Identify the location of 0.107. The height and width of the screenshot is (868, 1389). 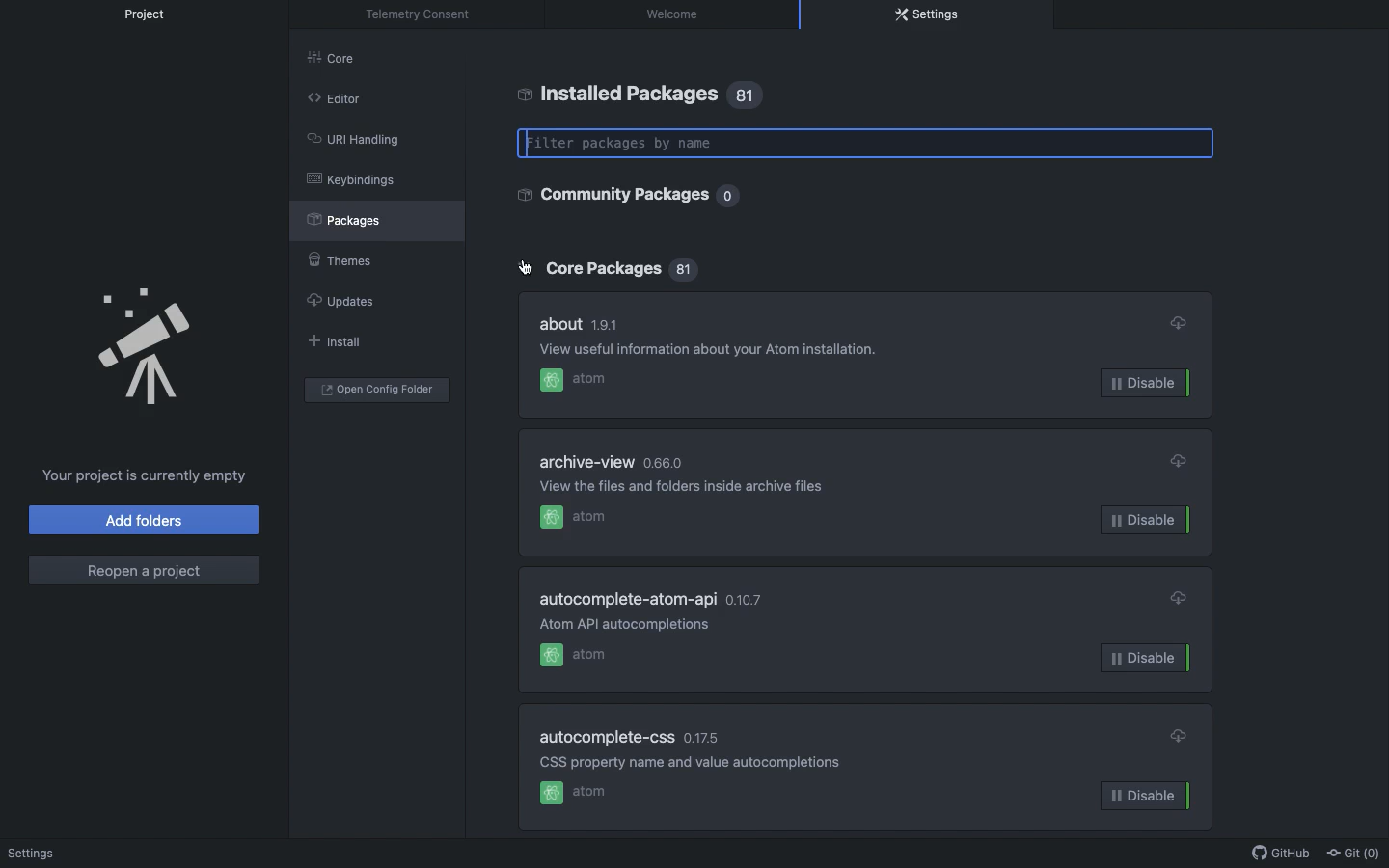
(747, 598).